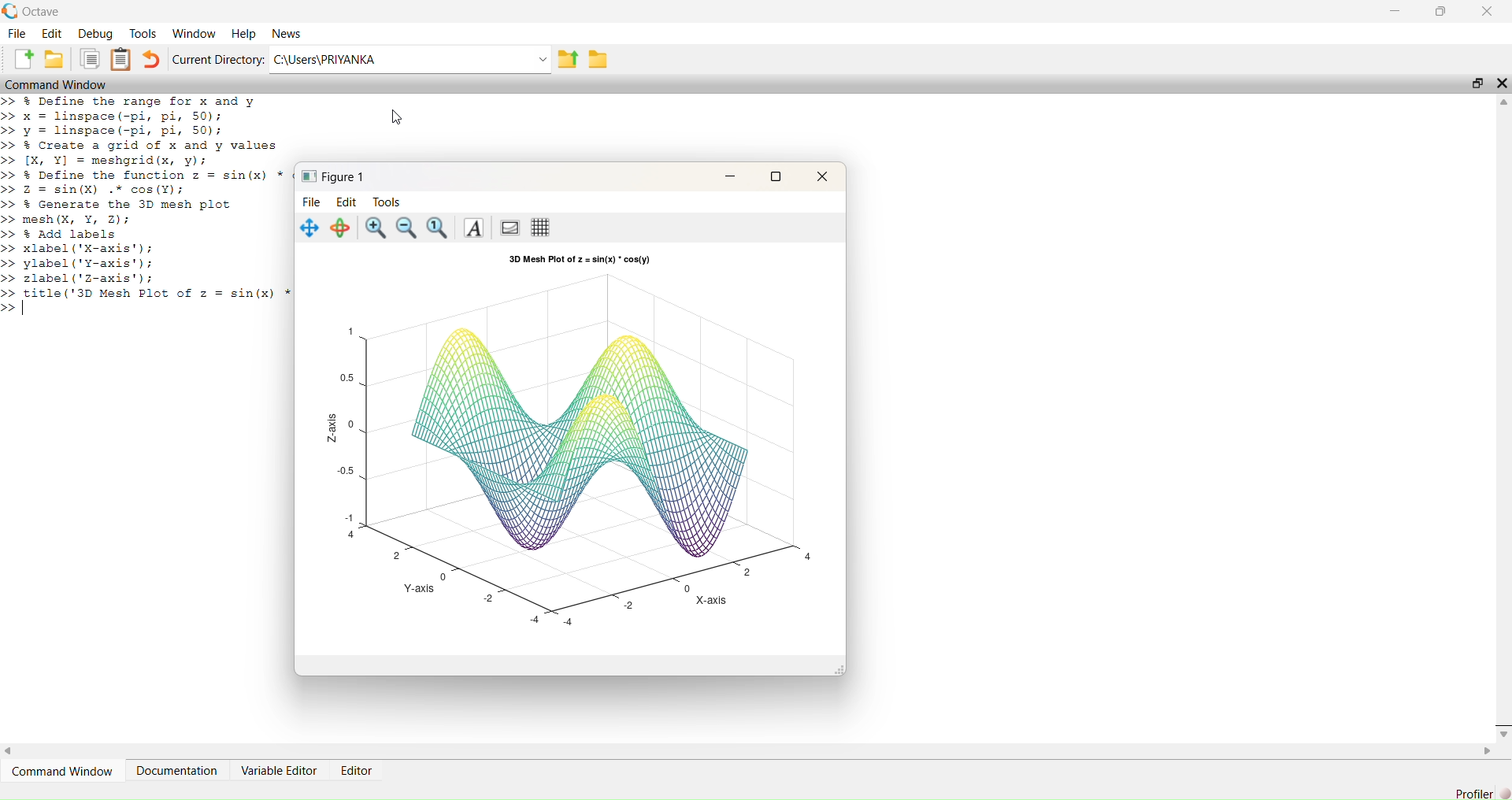 The image size is (1512, 800). What do you see at coordinates (439, 228) in the screenshot?
I see `Automatic limits for current axes` at bounding box center [439, 228].